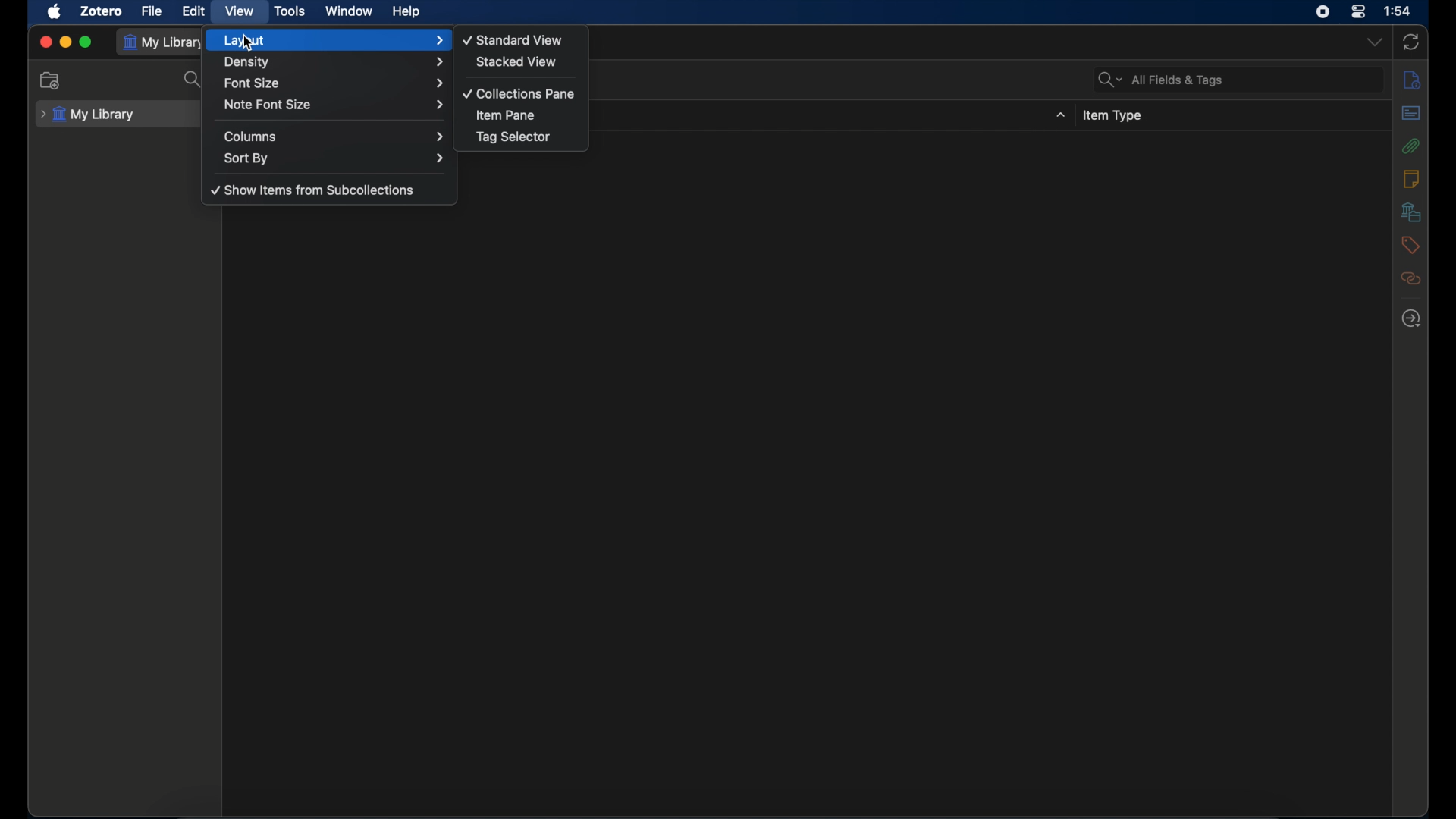 The width and height of the screenshot is (1456, 819). What do you see at coordinates (52, 80) in the screenshot?
I see `new collections` at bounding box center [52, 80].